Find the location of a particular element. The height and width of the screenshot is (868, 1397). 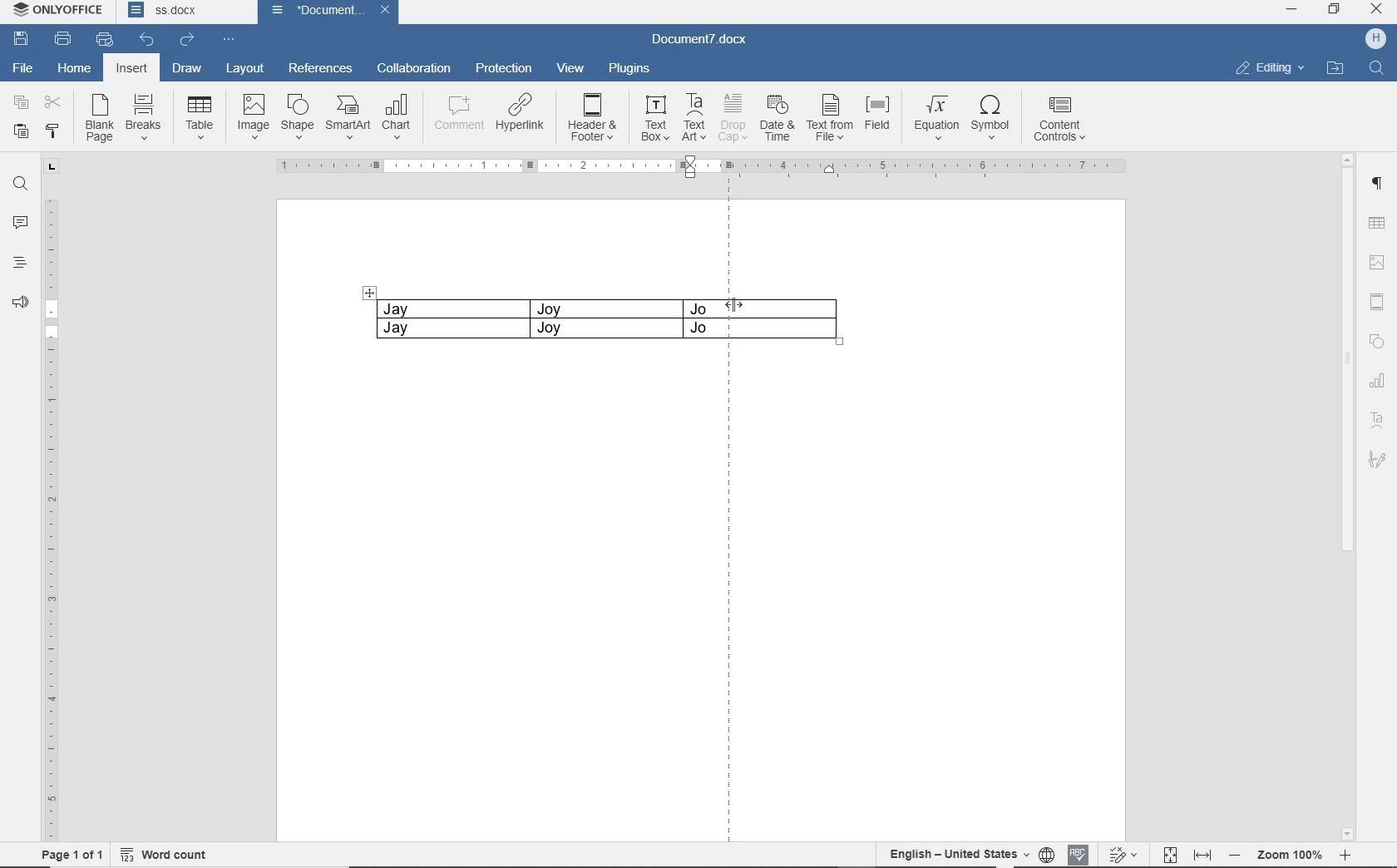

DROP CAP is located at coordinates (732, 116).